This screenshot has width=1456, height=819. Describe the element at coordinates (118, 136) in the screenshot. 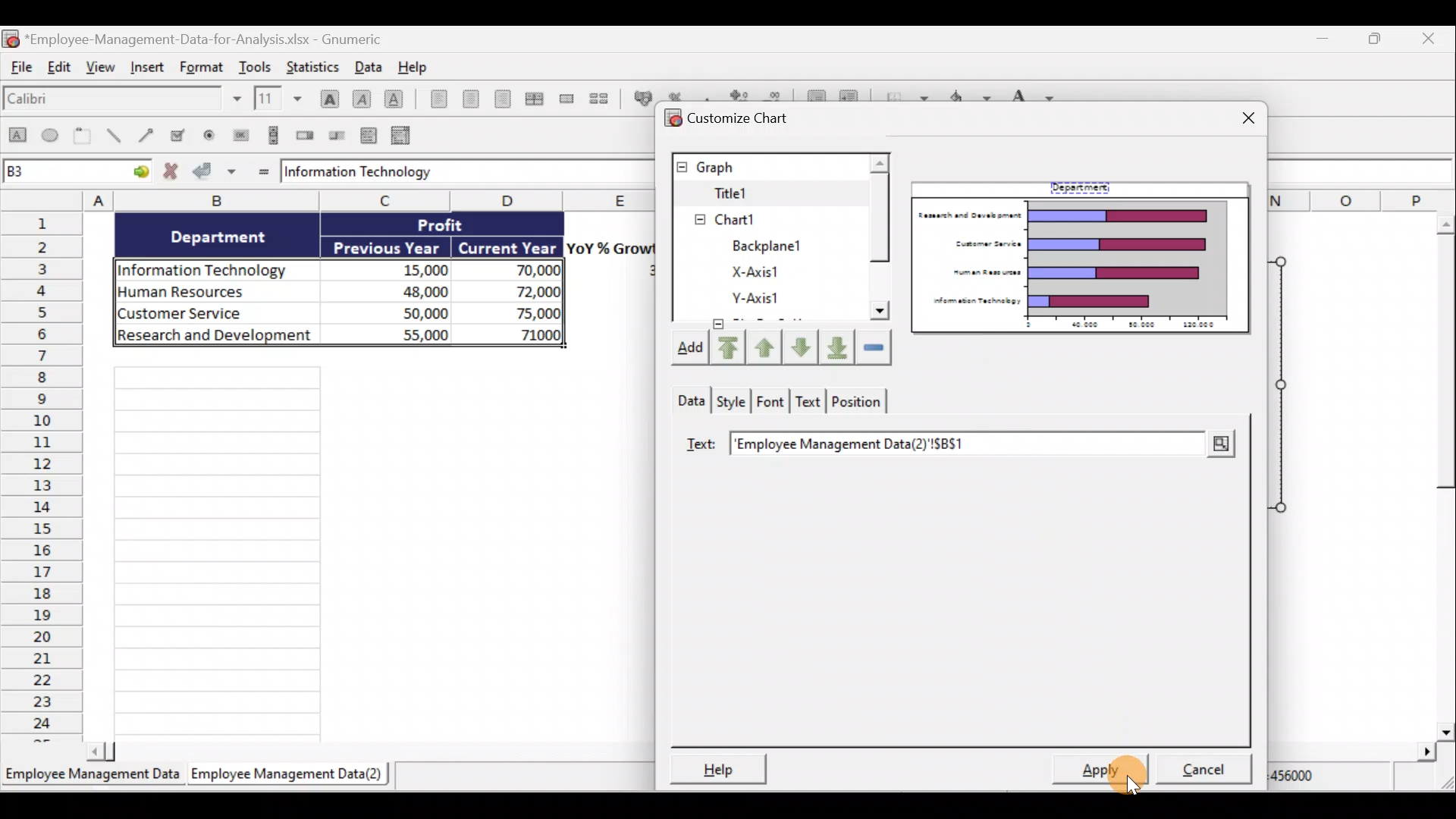

I see `Create a line object` at that location.